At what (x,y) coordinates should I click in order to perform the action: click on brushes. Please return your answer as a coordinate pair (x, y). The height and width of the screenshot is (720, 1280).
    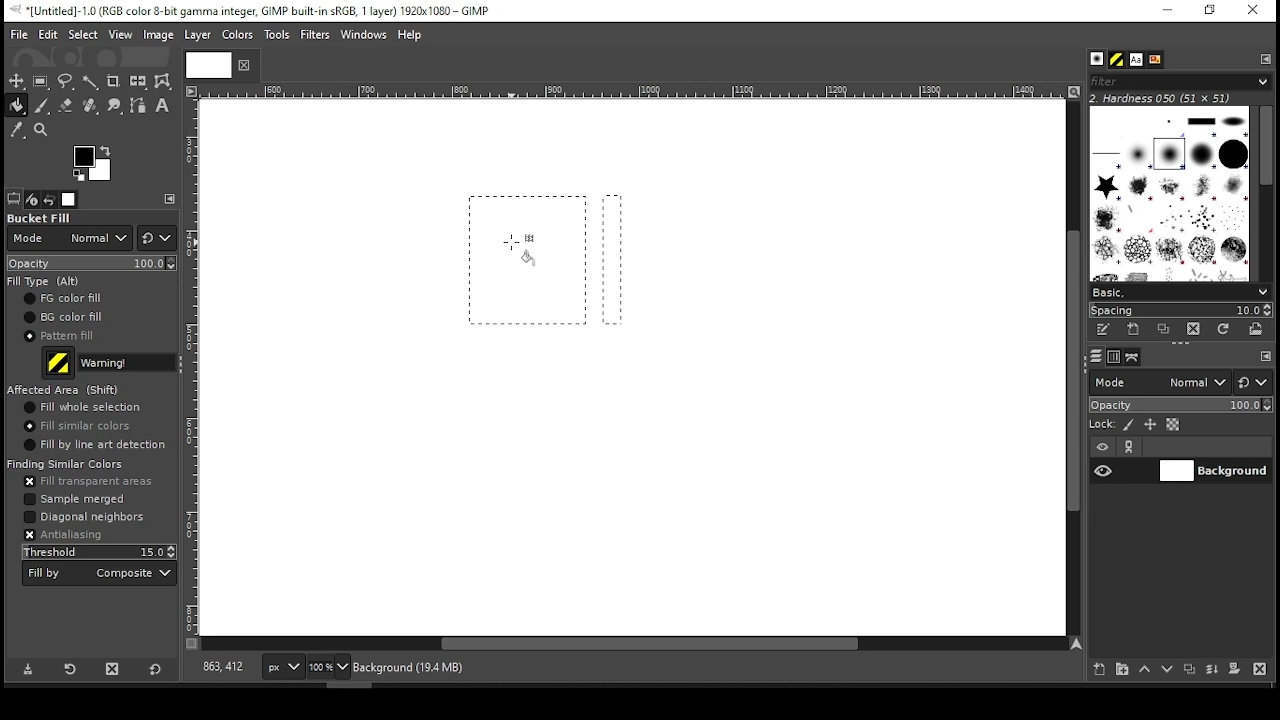
    Looking at the image, I should click on (1097, 60).